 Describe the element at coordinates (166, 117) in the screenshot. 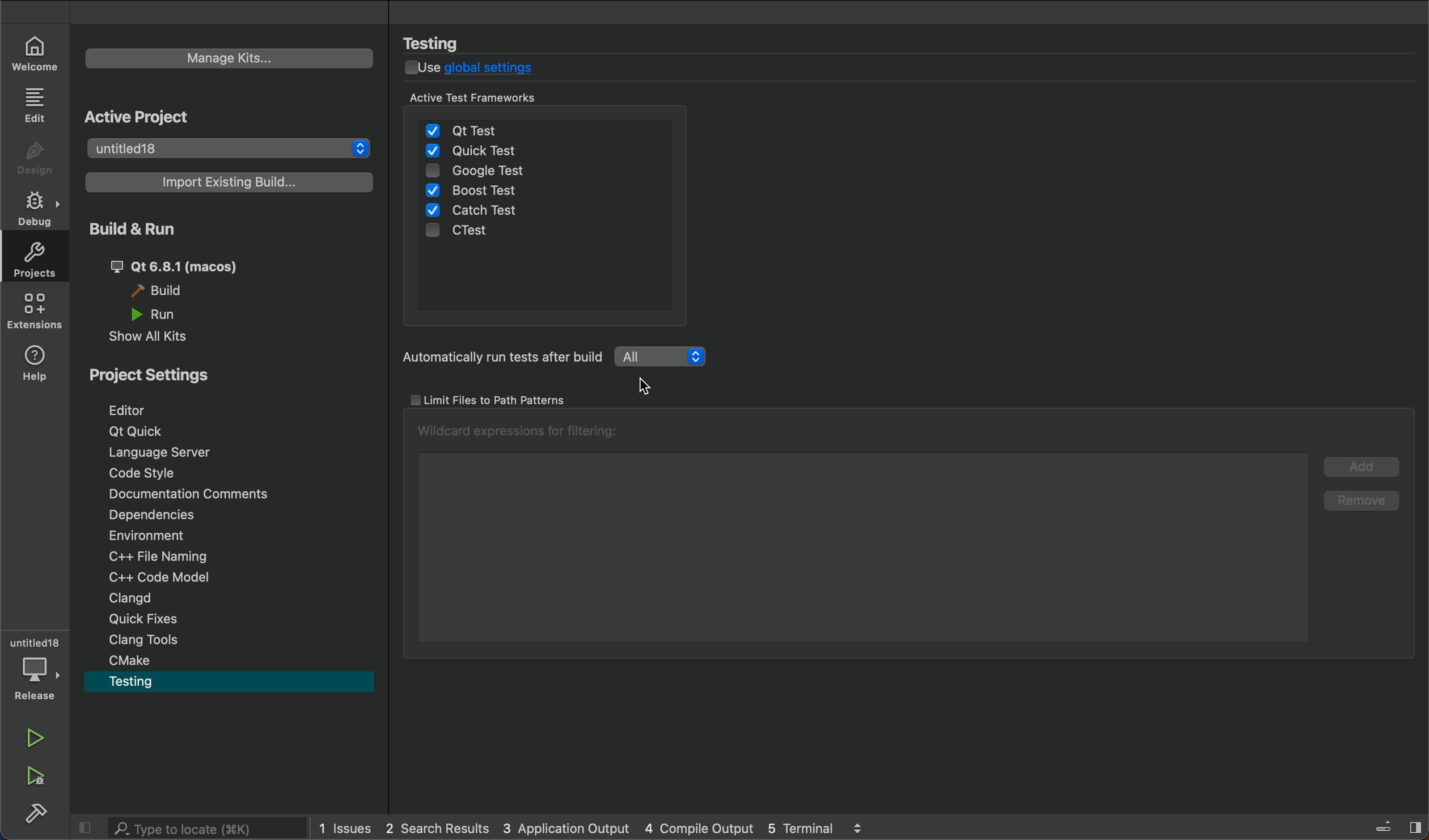

I see `active project` at that location.